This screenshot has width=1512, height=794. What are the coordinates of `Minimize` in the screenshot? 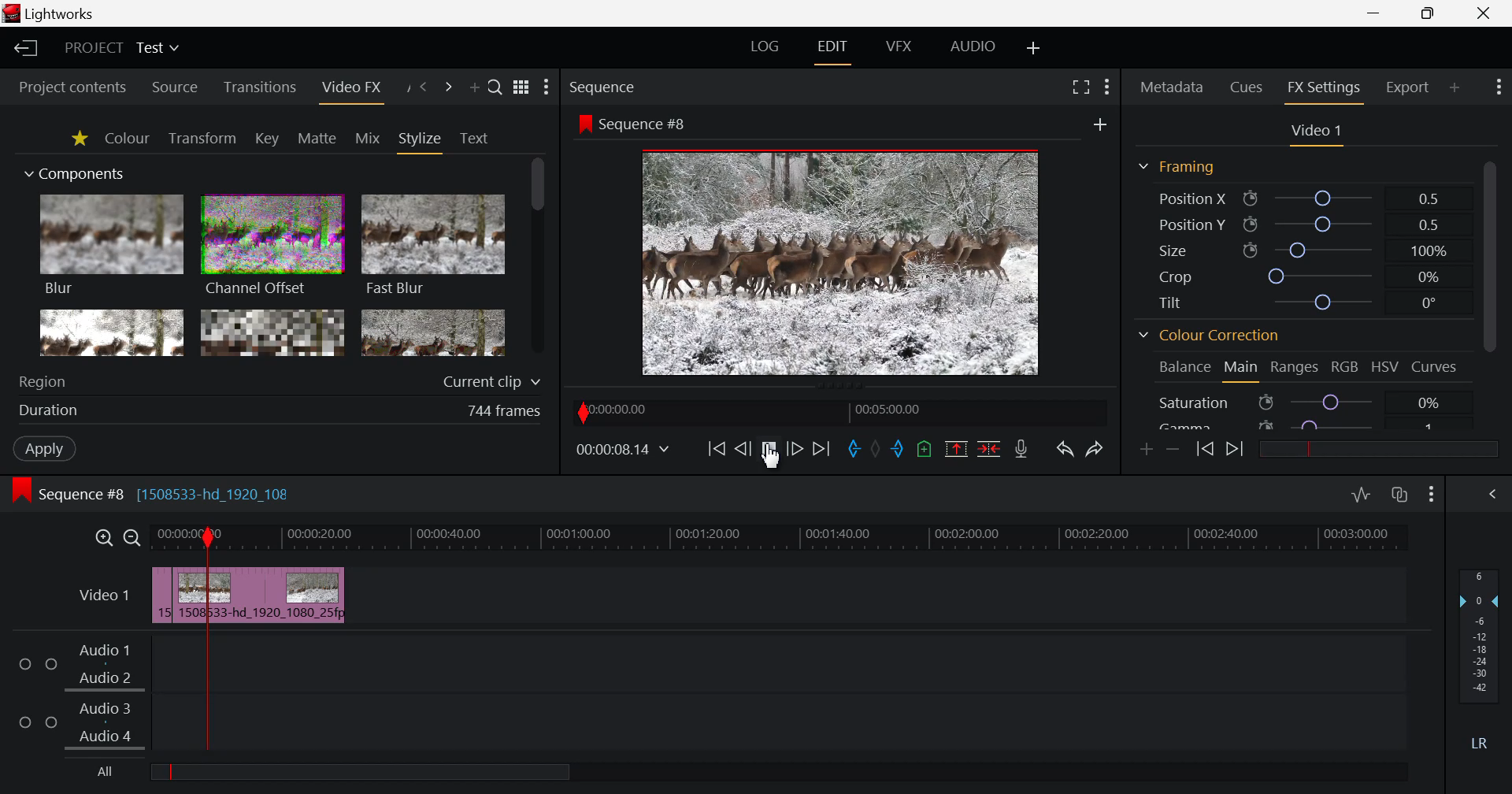 It's located at (1429, 14).